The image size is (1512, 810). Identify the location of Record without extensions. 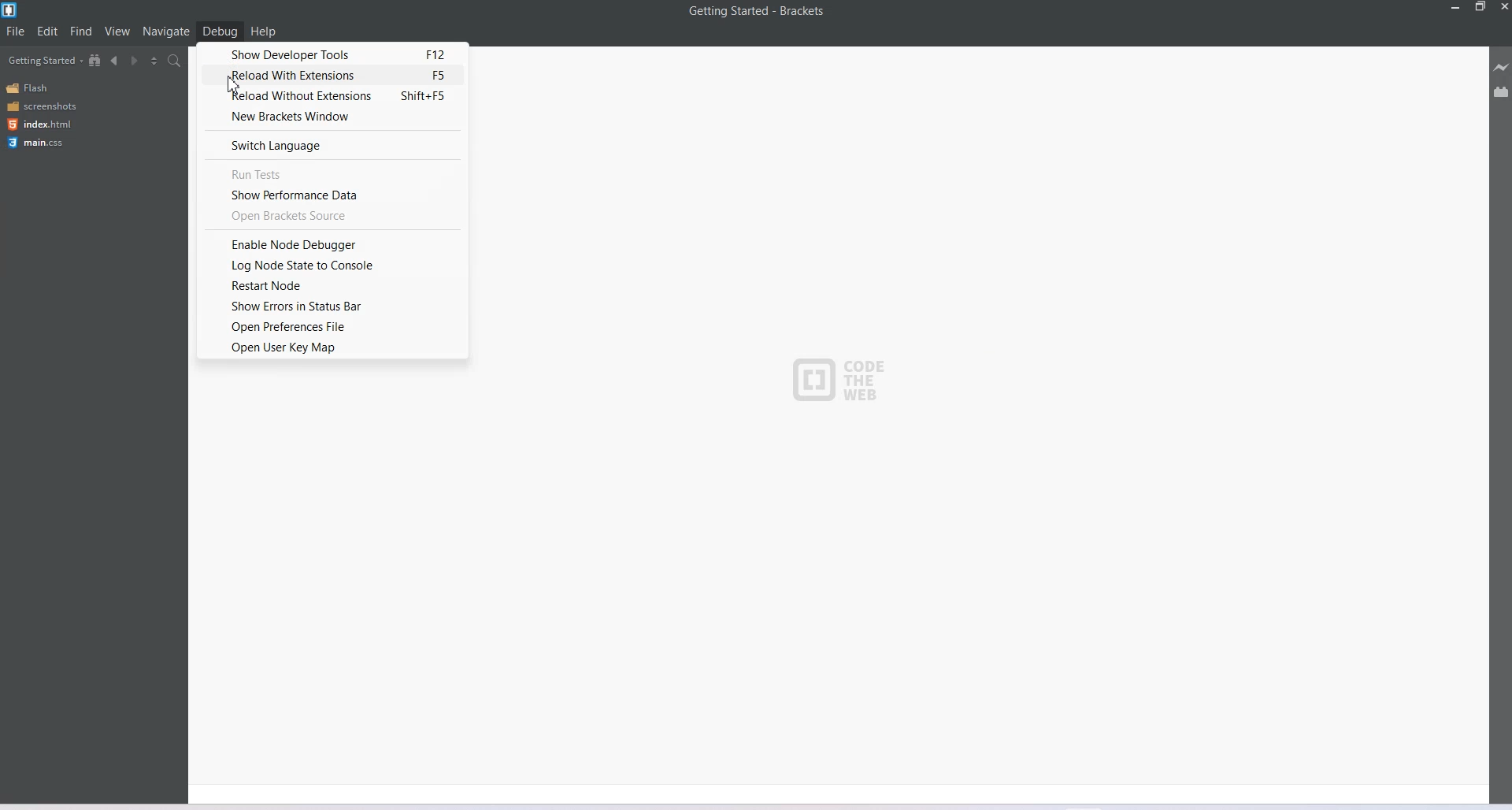
(334, 96).